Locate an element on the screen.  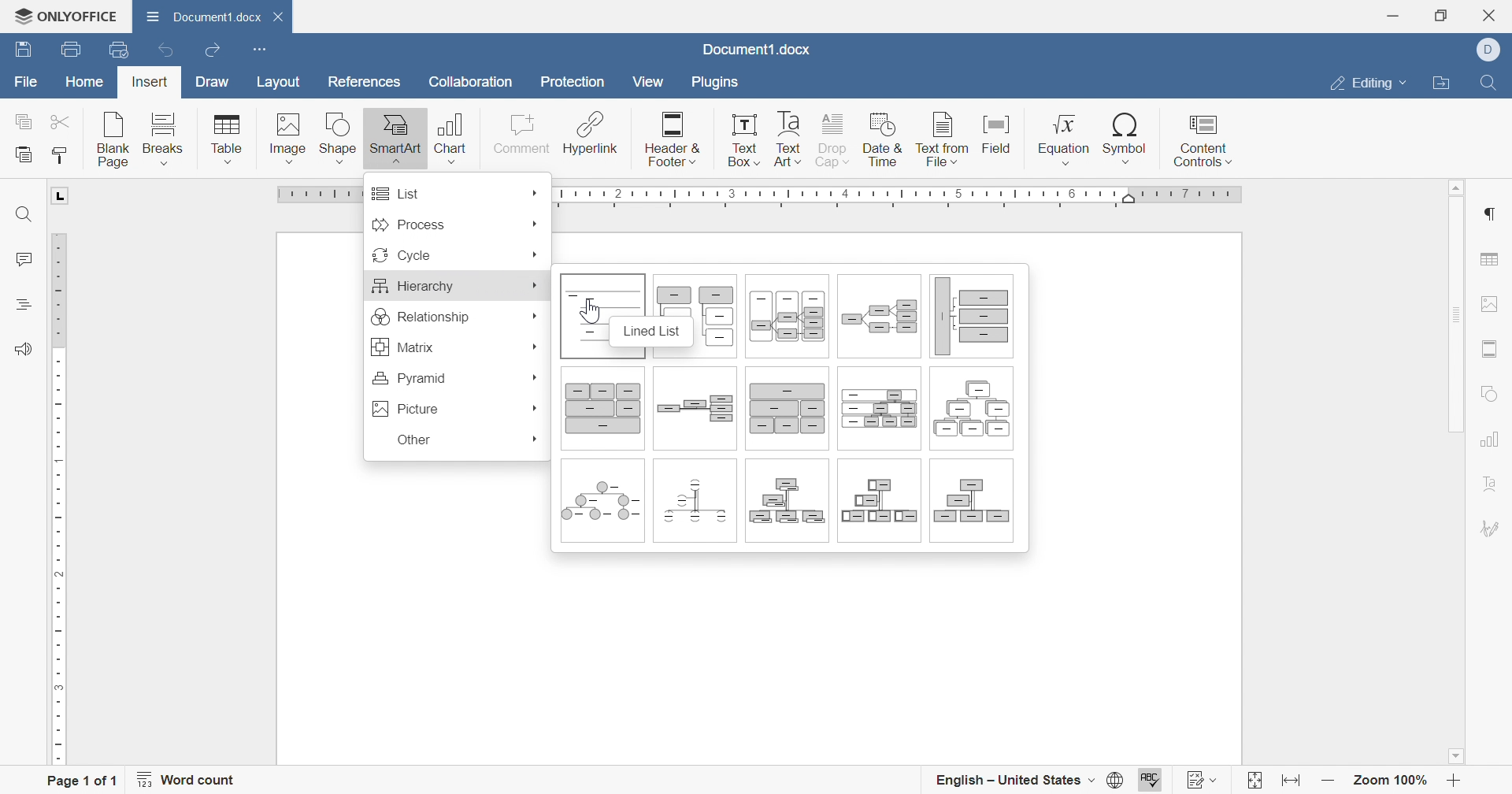
Organization chart is located at coordinates (975, 504).